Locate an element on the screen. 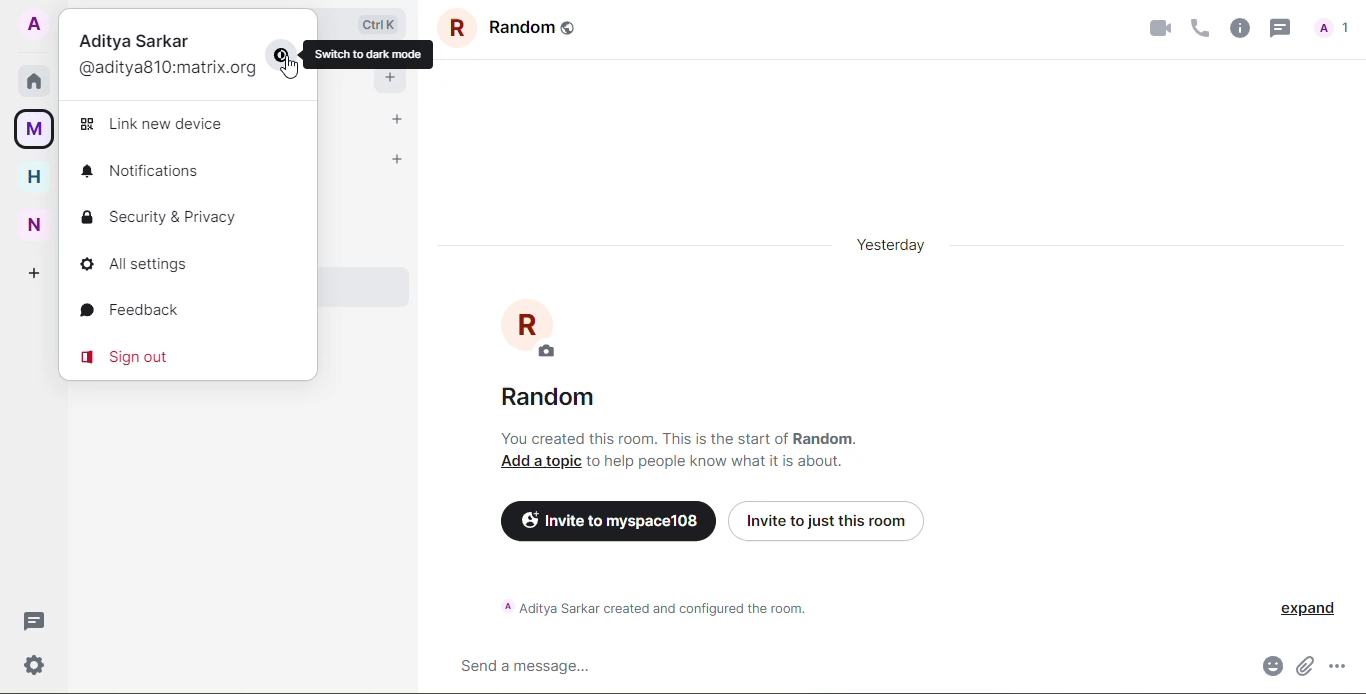 Image resolution: width=1366 pixels, height=694 pixels. all settings is located at coordinates (143, 264).